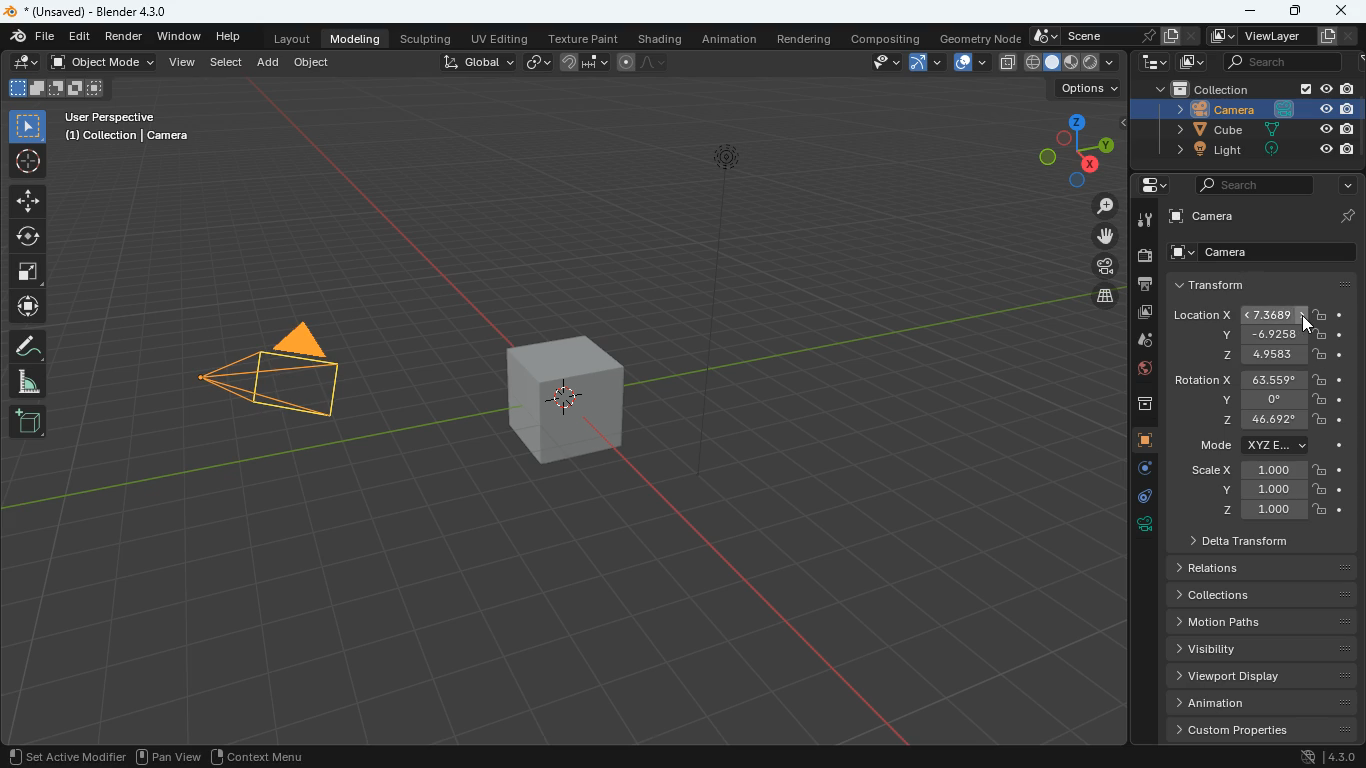 The height and width of the screenshot is (768, 1366). What do you see at coordinates (1249, 217) in the screenshot?
I see `camera` at bounding box center [1249, 217].